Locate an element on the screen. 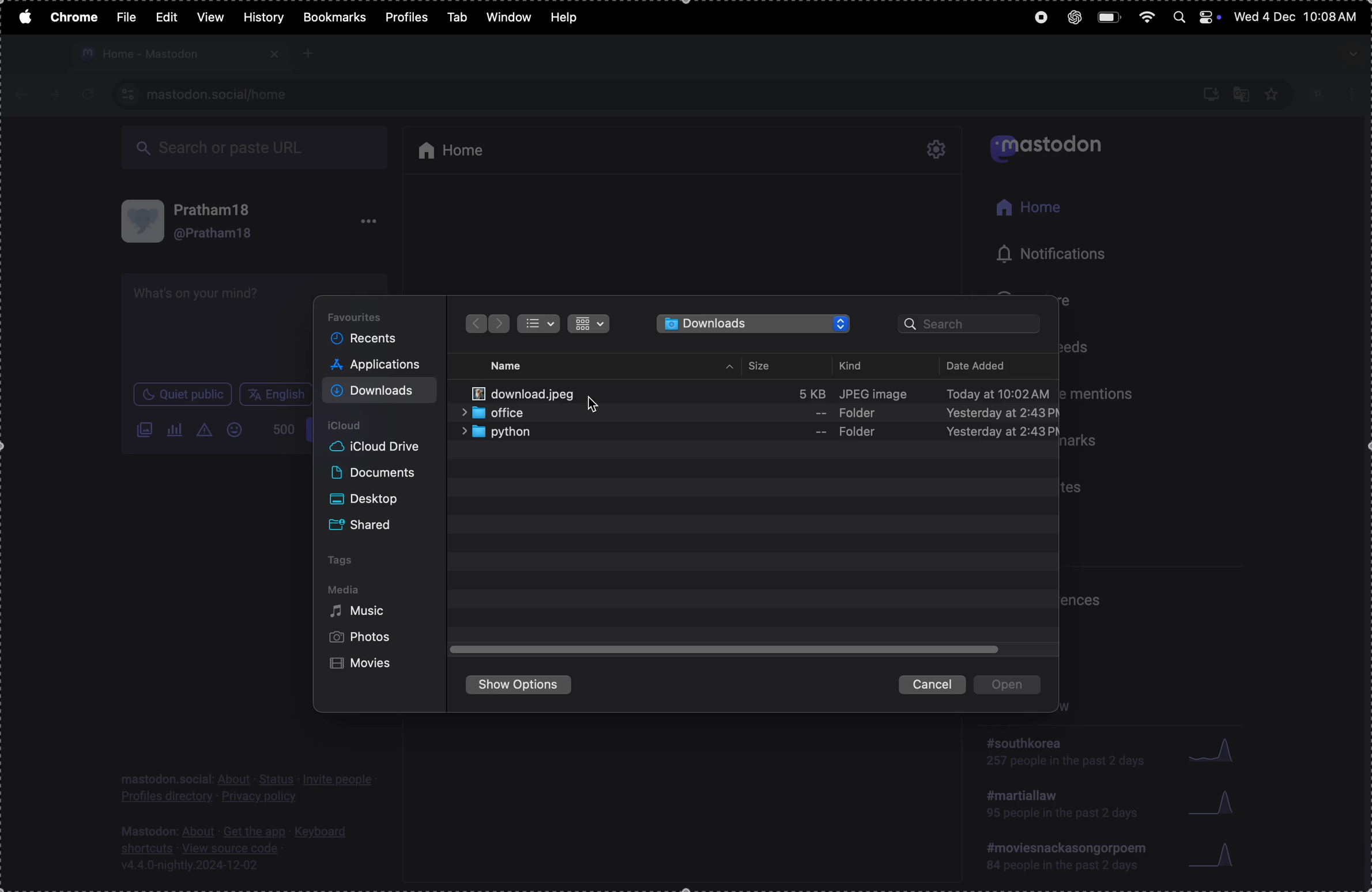 The image size is (1372, 892). notifications is located at coordinates (1041, 254).